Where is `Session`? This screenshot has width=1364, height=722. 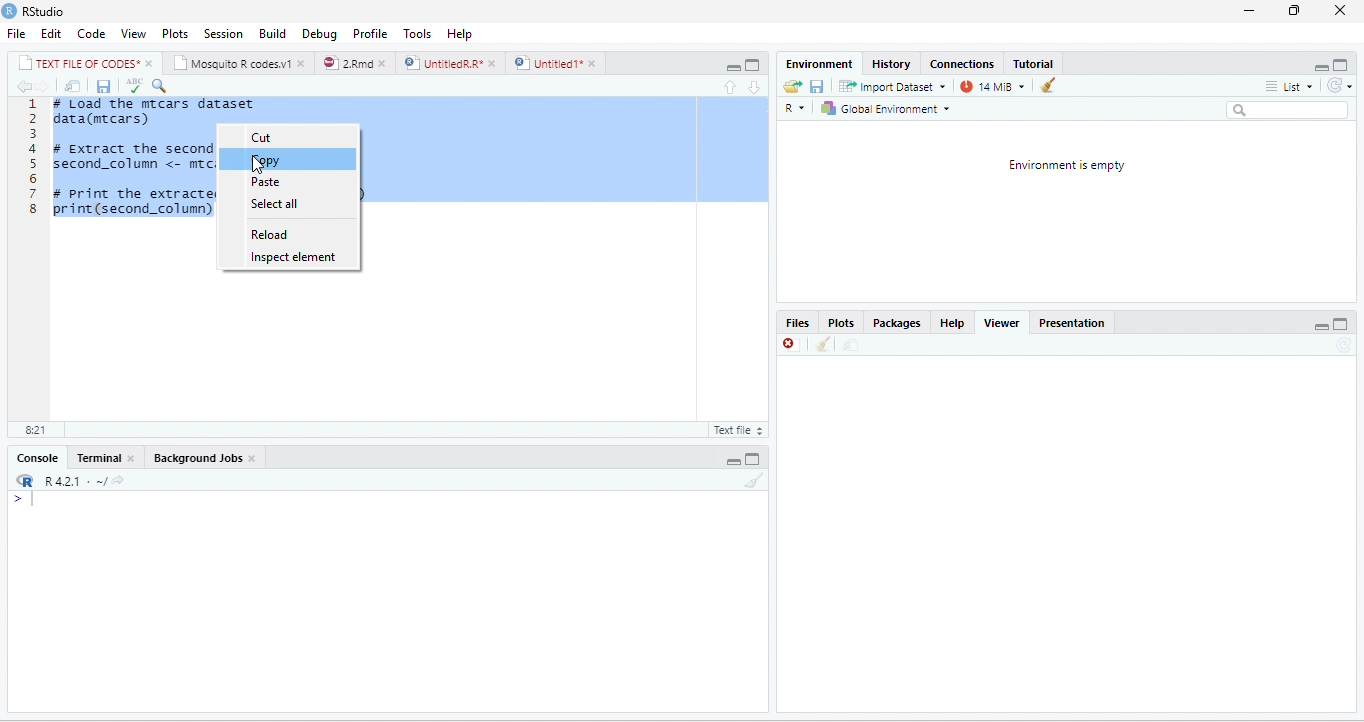 Session is located at coordinates (221, 32).